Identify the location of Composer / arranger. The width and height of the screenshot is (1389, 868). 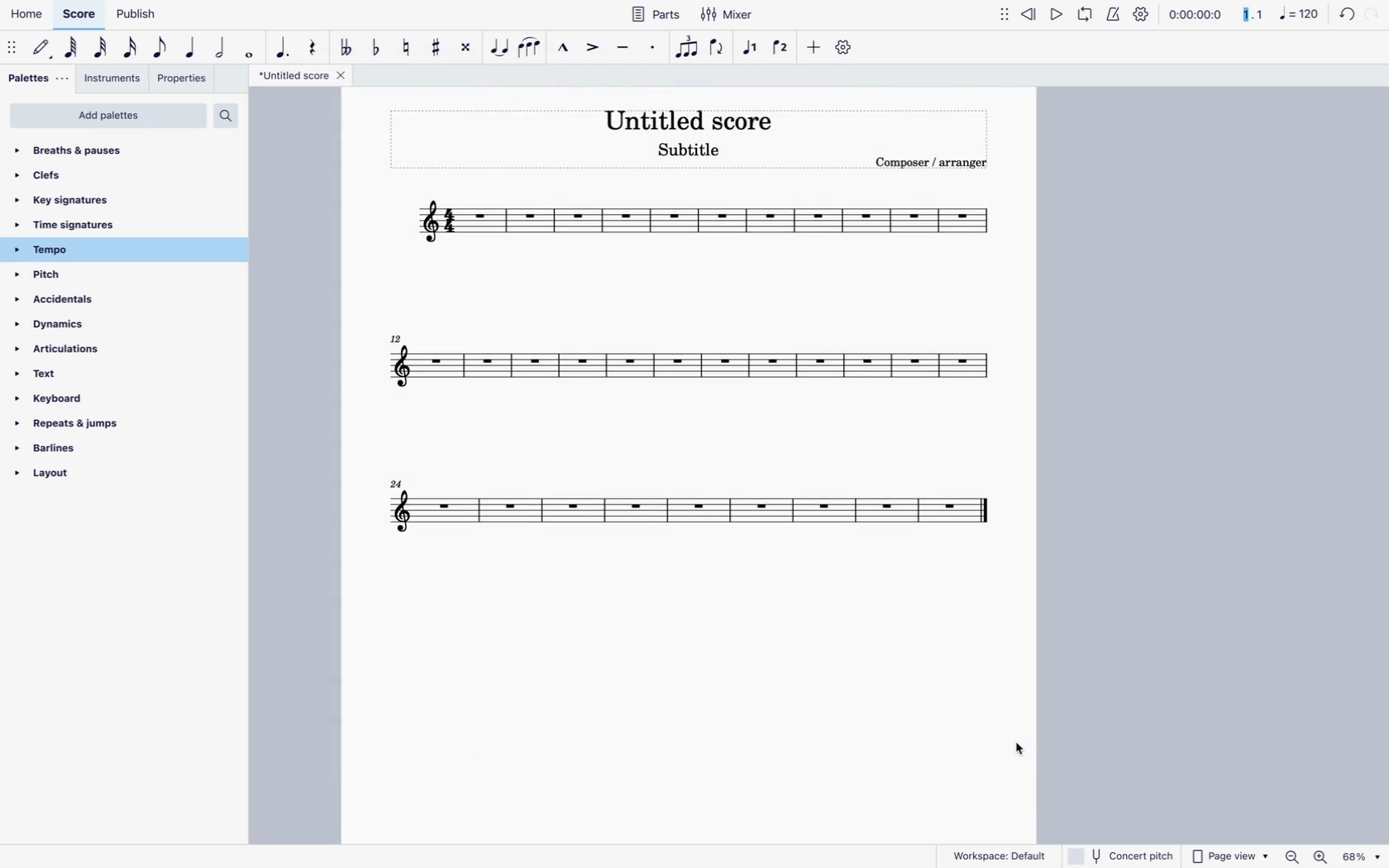
(928, 160).